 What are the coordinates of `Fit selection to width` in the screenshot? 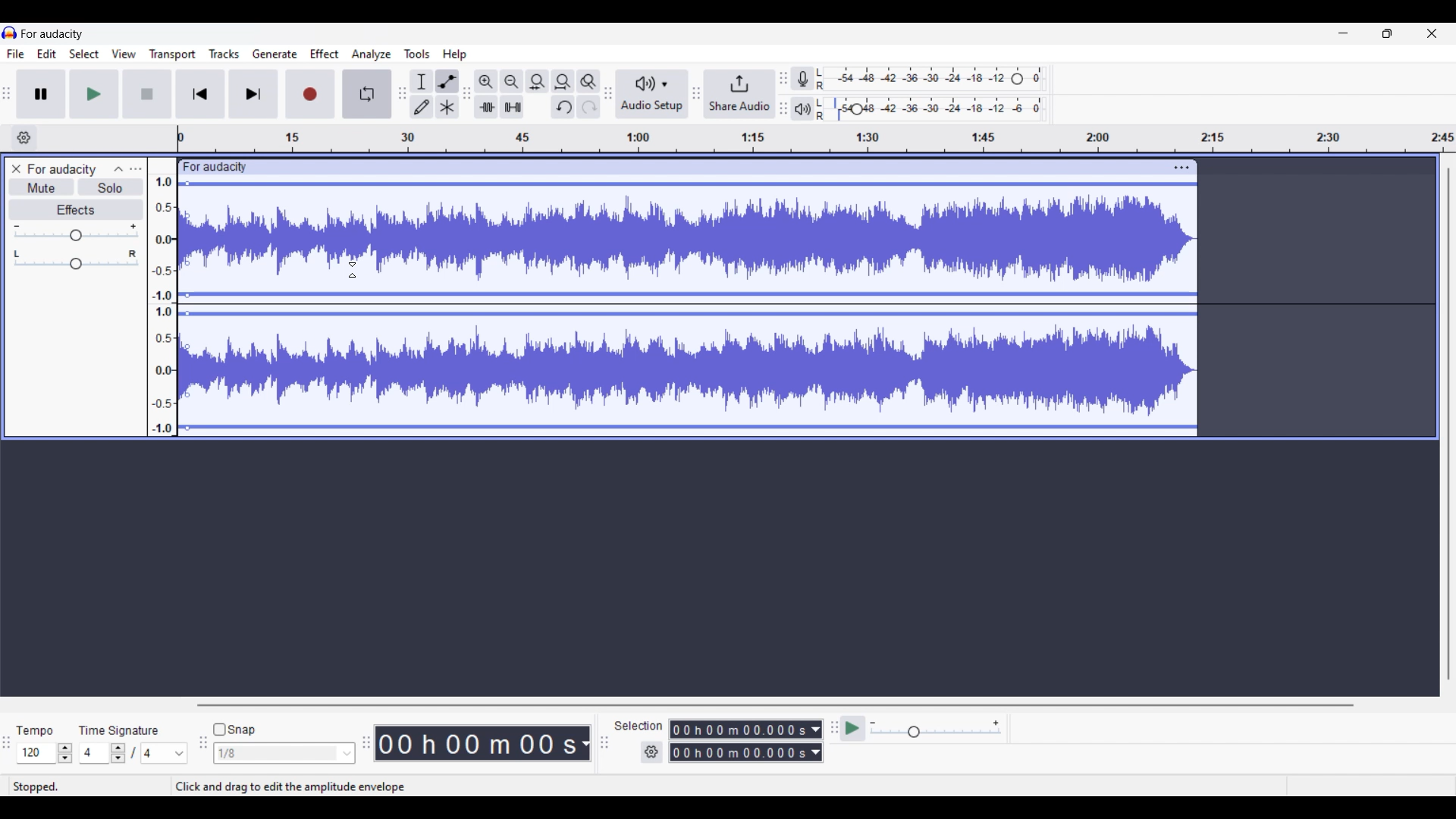 It's located at (538, 81).